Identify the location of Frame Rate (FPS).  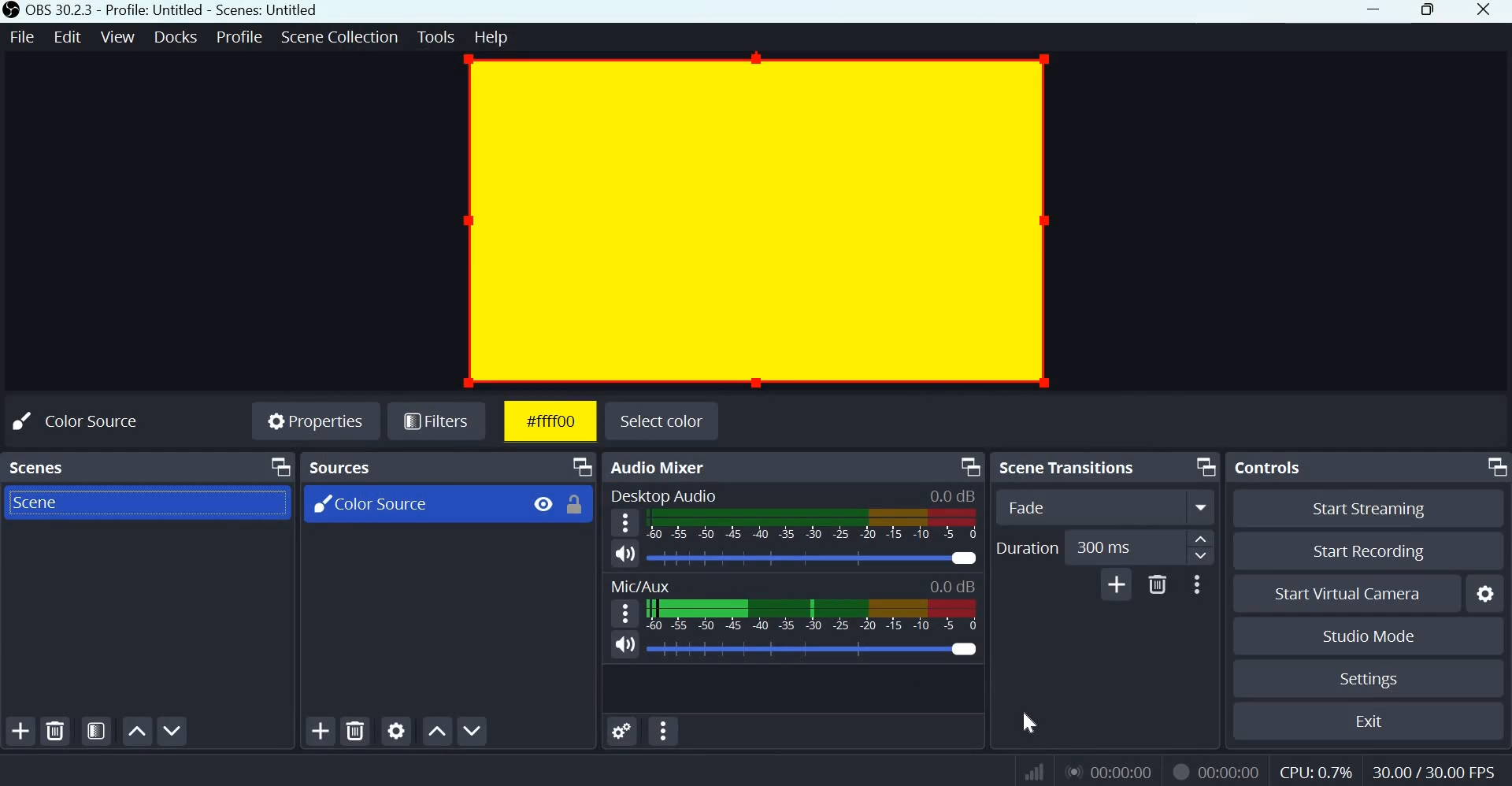
(1429, 770).